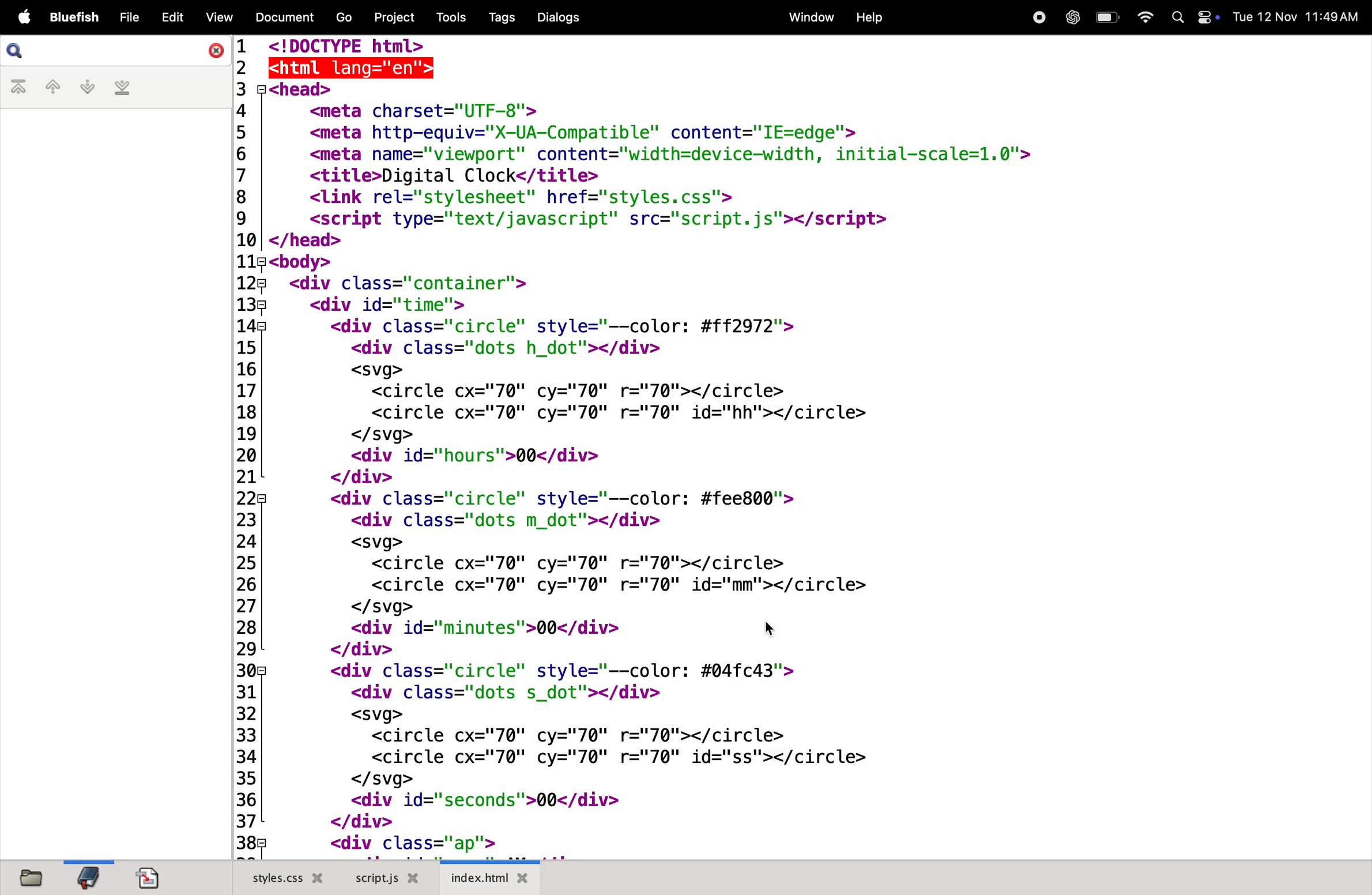 This screenshot has height=895, width=1372. Describe the element at coordinates (122, 88) in the screenshot. I see `last bookmark` at that location.